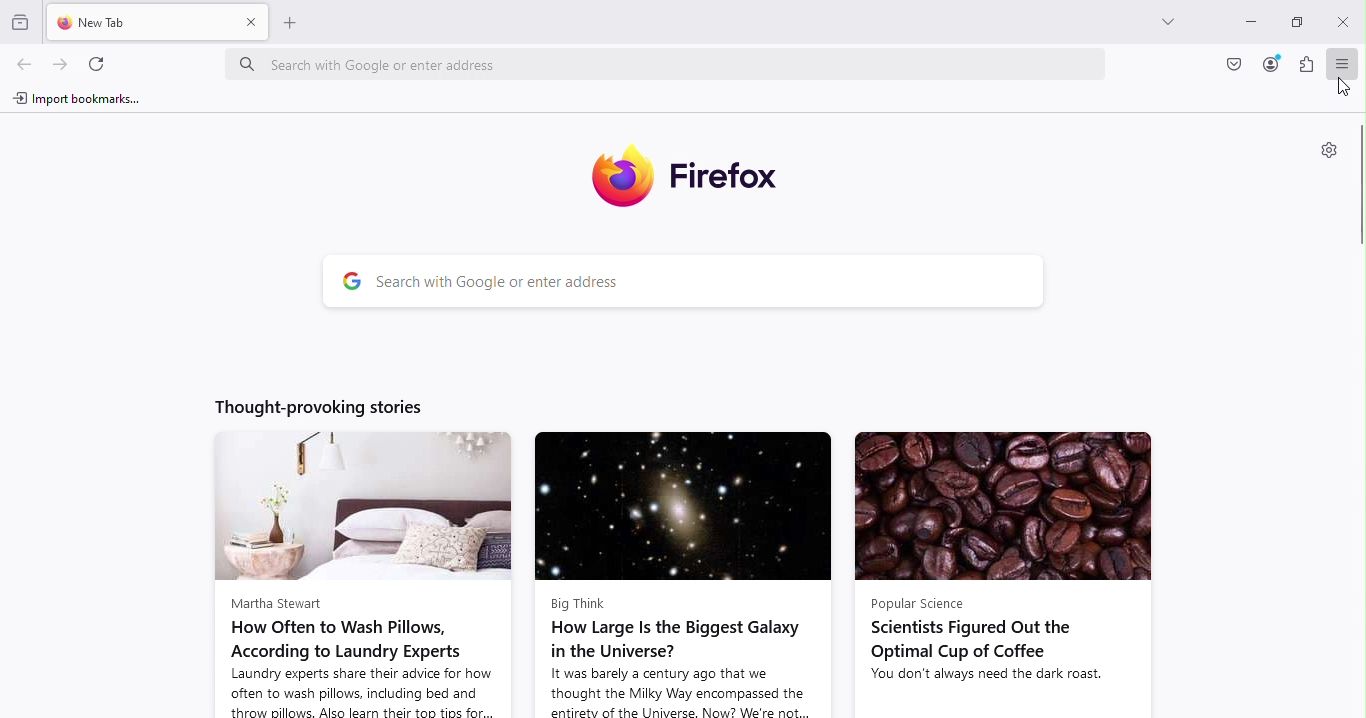 The image size is (1366, 718). What do you see at coordinates (1268, 66) in the screenshot?
I see `Account` at bounding box center [1268, 66].